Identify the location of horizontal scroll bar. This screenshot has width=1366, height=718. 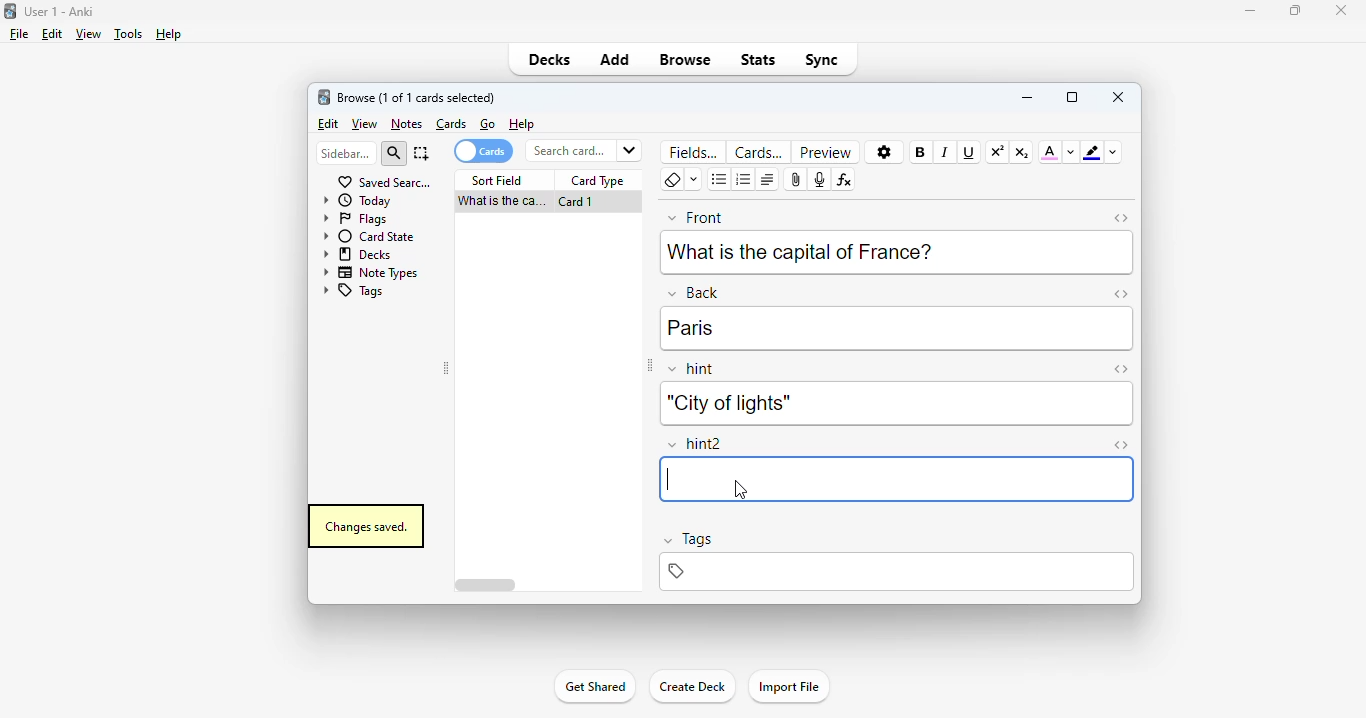
(488, 586).